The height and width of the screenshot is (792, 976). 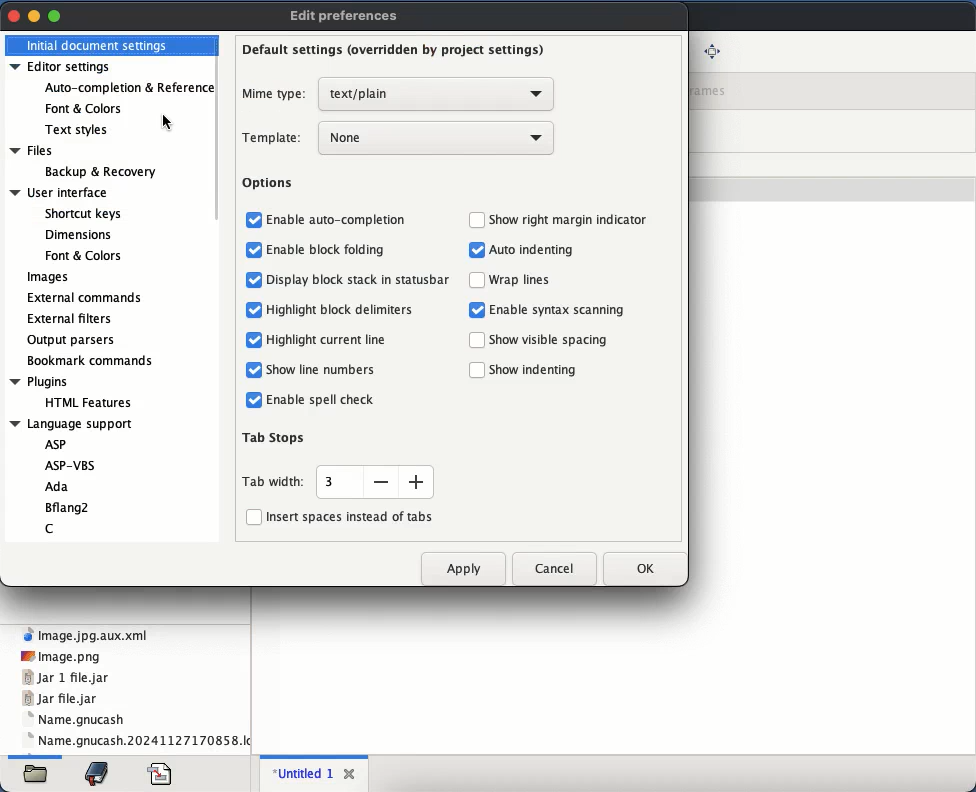 I want to click on Auto indenting, so click(x=531, y=253).